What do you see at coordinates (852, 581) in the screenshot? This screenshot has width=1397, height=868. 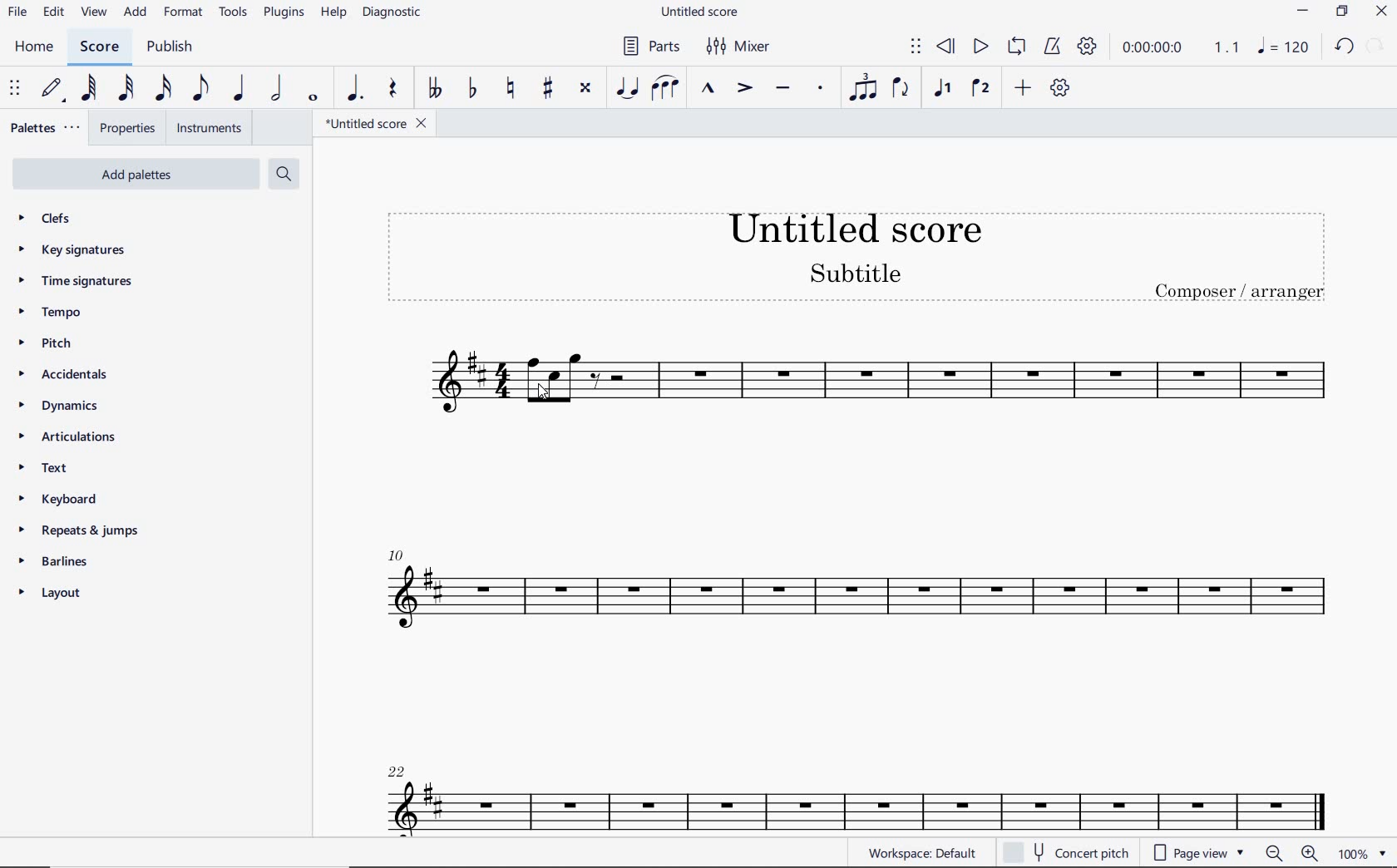 I see `INSTRUMENT: TENOR SAXOPHONE` at bounding box center [852, 581].